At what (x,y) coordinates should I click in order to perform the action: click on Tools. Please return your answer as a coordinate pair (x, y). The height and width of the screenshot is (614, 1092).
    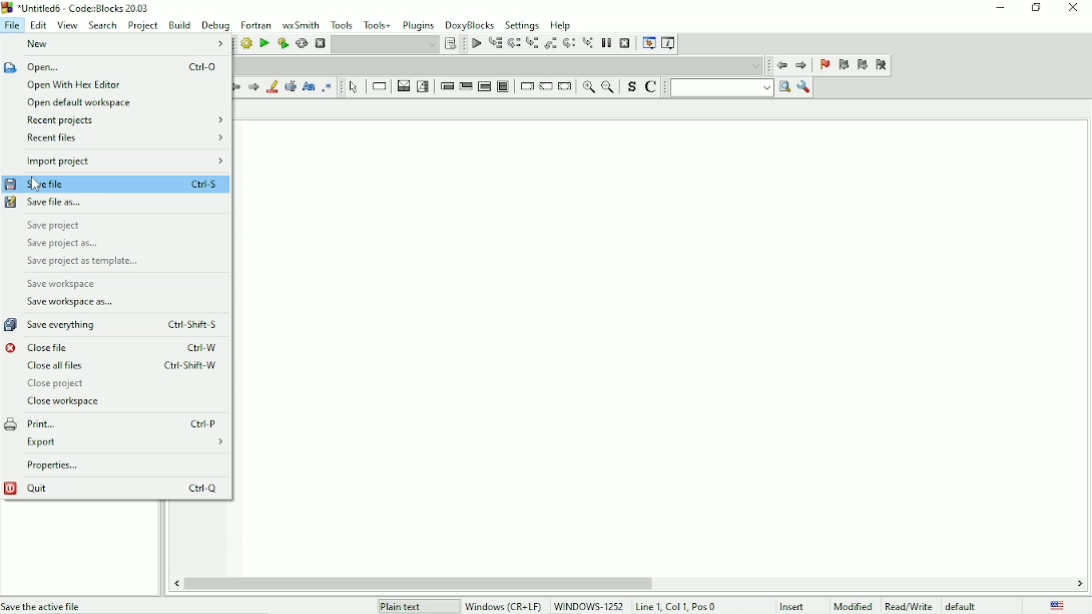
    Looking at the image, I should click on (341, 24).